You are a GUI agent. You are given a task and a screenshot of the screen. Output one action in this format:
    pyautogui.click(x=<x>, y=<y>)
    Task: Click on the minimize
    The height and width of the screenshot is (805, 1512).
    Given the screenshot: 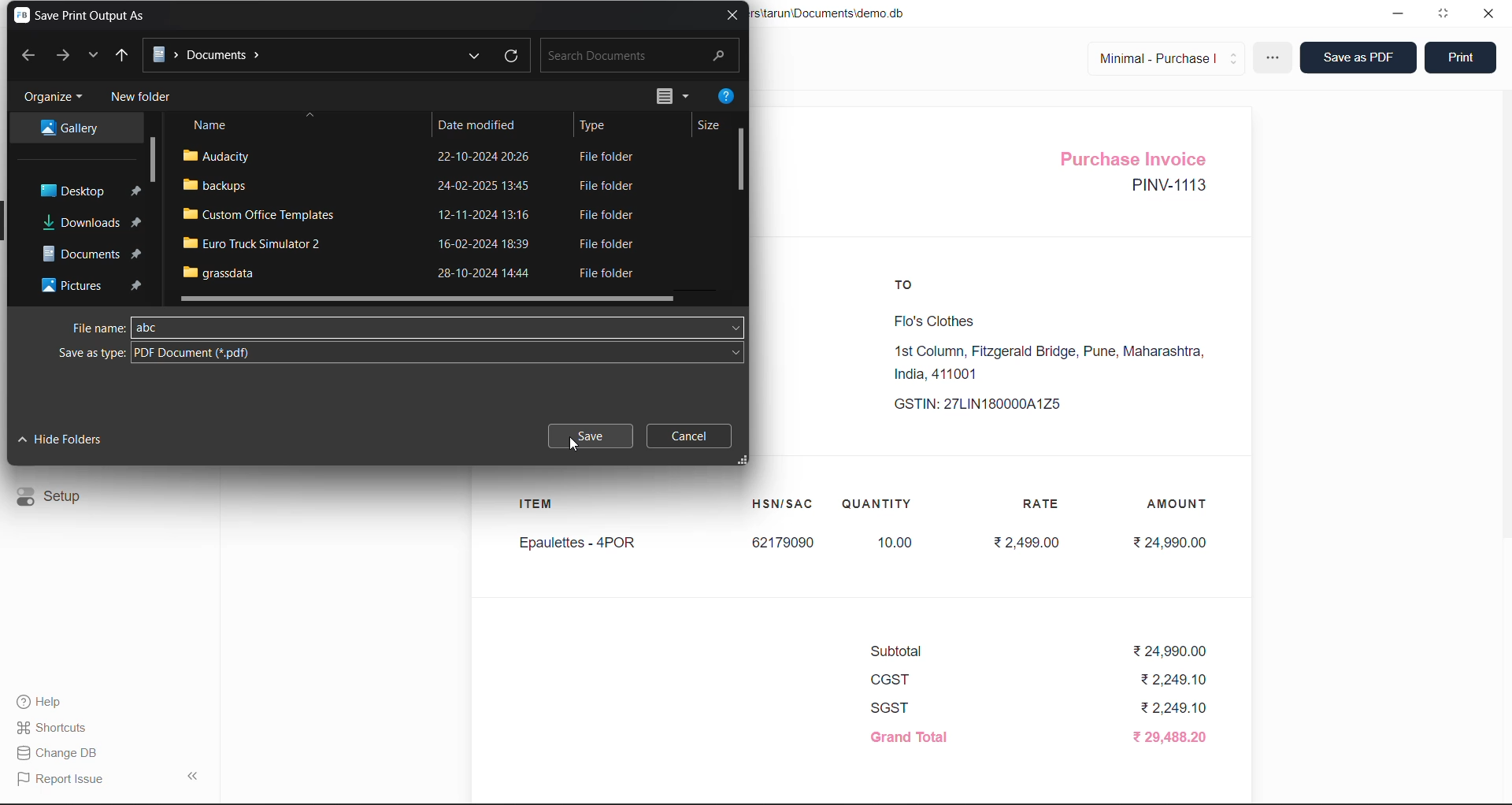 What is the action you would take?
    pyautogui.click(x=1402, y=13)
    